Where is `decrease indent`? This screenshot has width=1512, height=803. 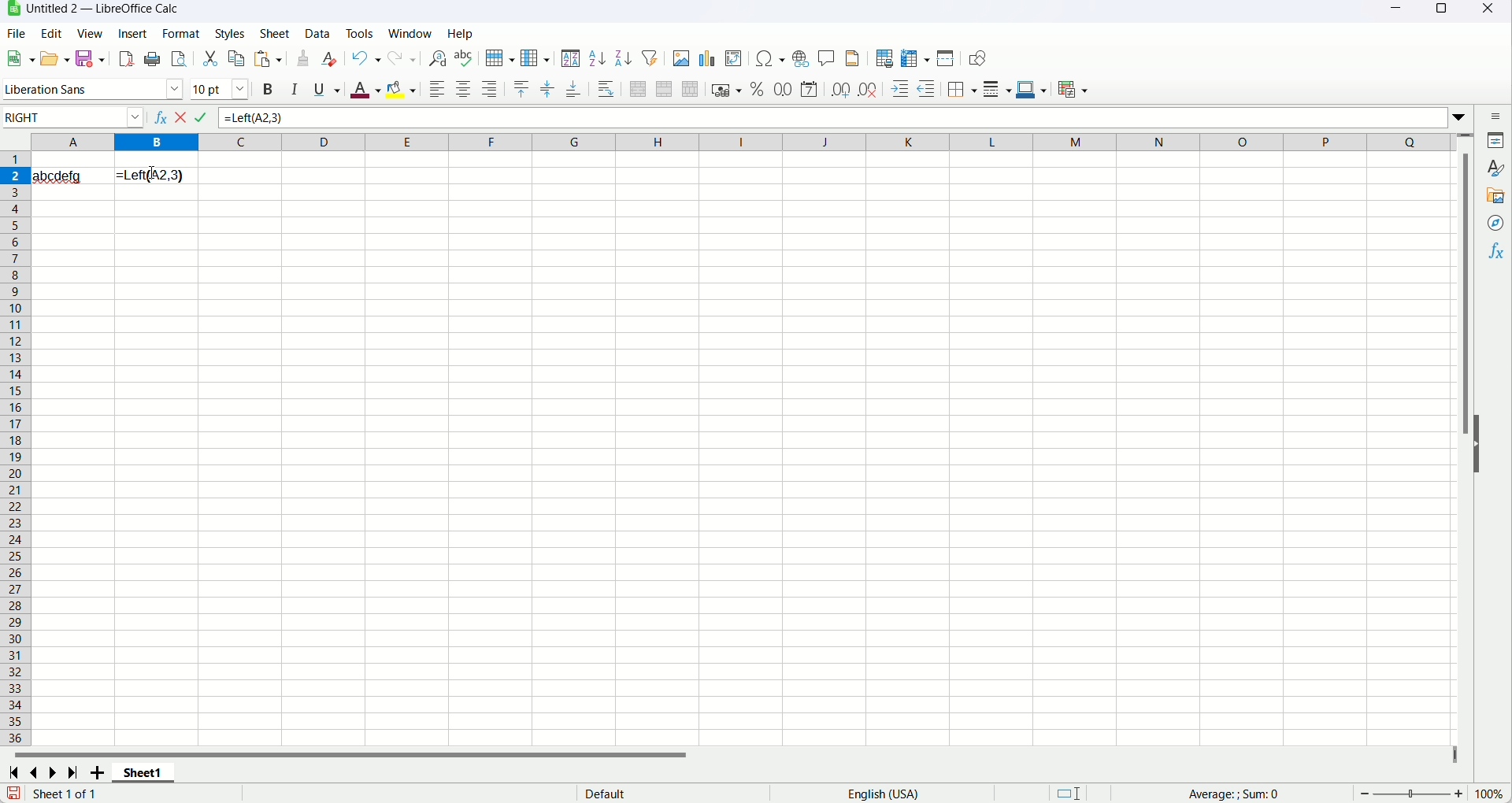 decrease indent is located at coordinates (927, 88).